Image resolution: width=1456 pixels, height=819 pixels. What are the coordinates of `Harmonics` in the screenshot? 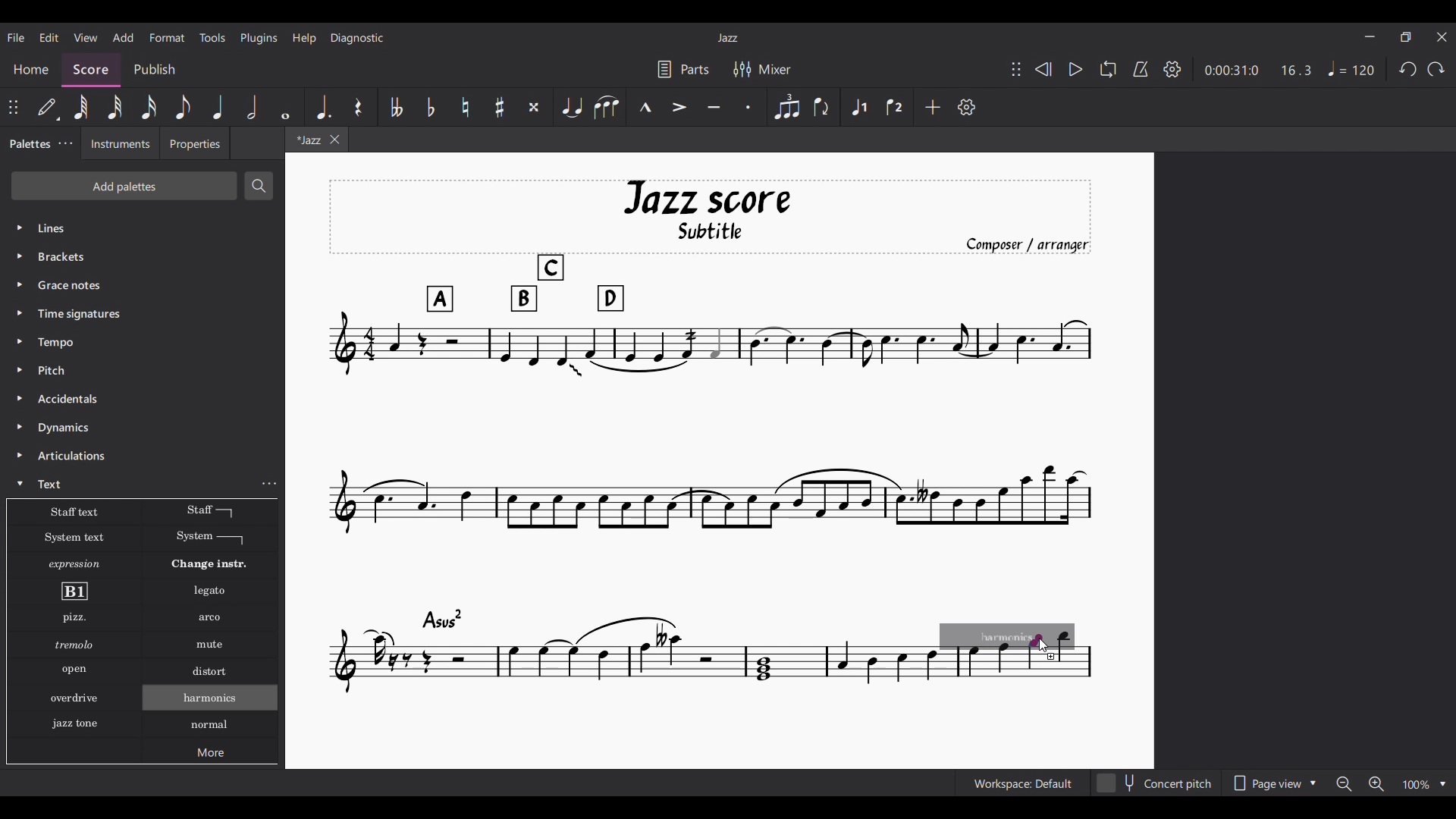 It's located at (219, 701).